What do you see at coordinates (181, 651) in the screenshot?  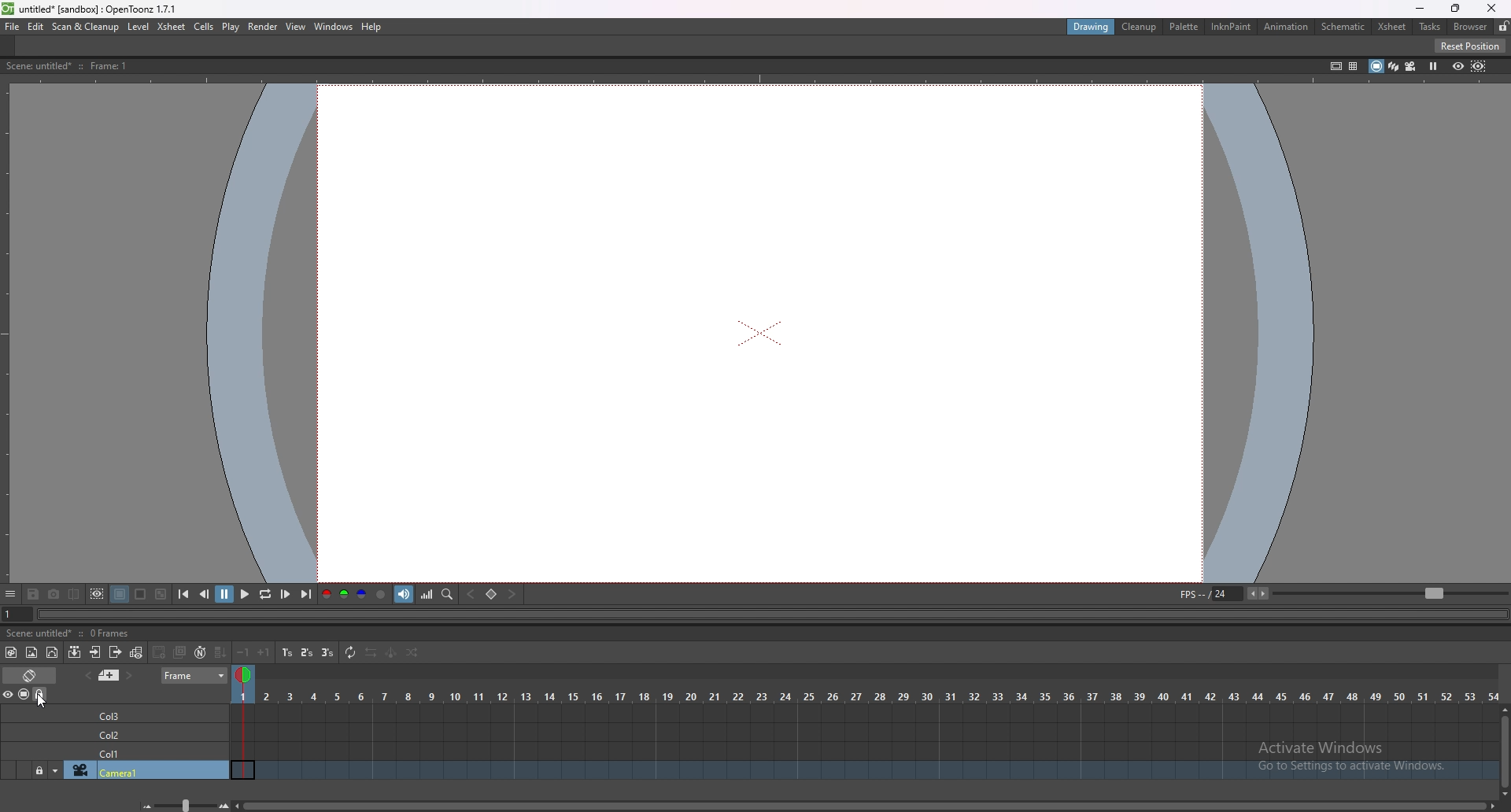 I see `duplicate drawing` at bounding box center [181, 651].